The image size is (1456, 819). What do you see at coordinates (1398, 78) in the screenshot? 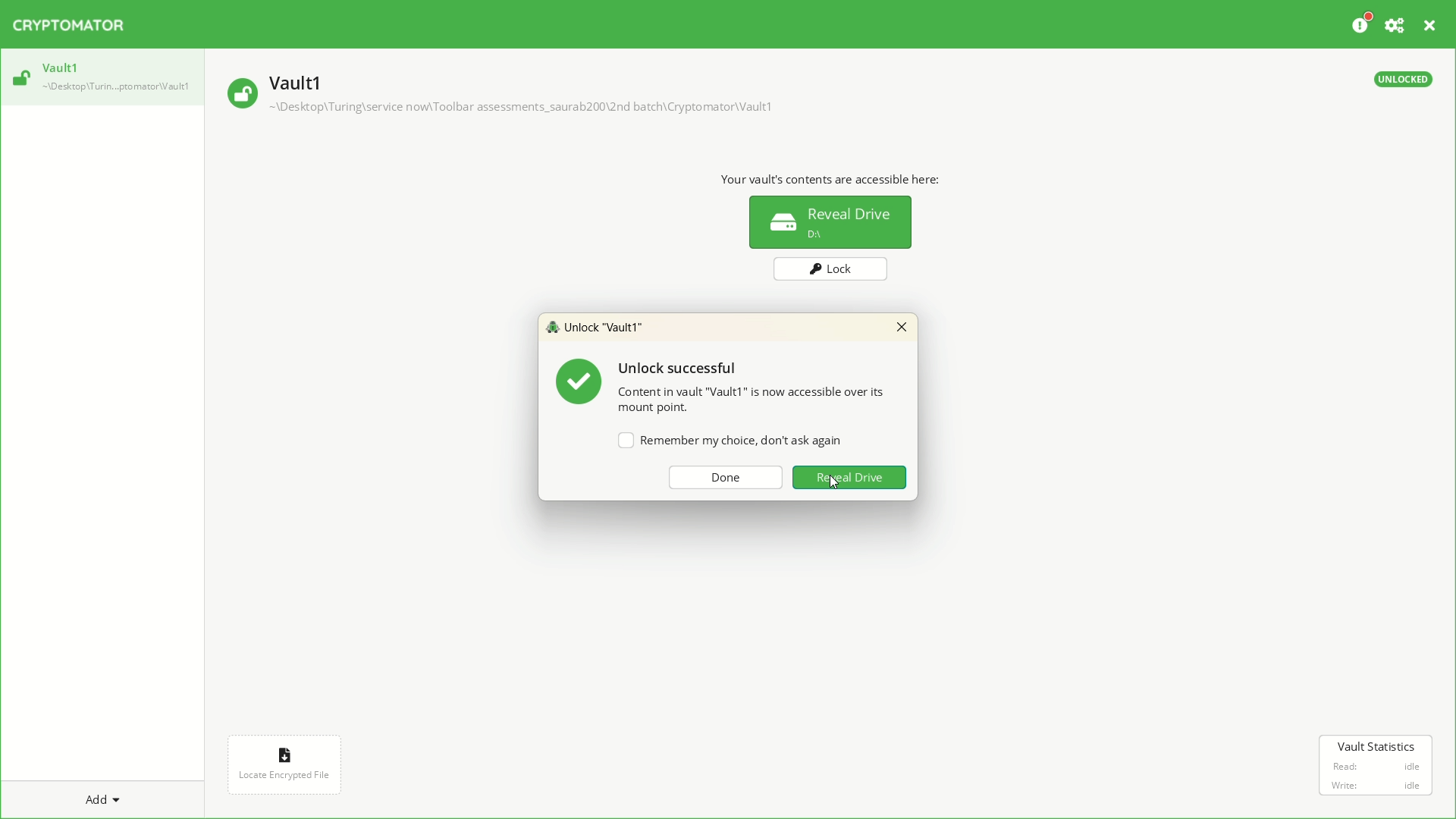
I see `unlocked` at bounding box center [1398, 78].